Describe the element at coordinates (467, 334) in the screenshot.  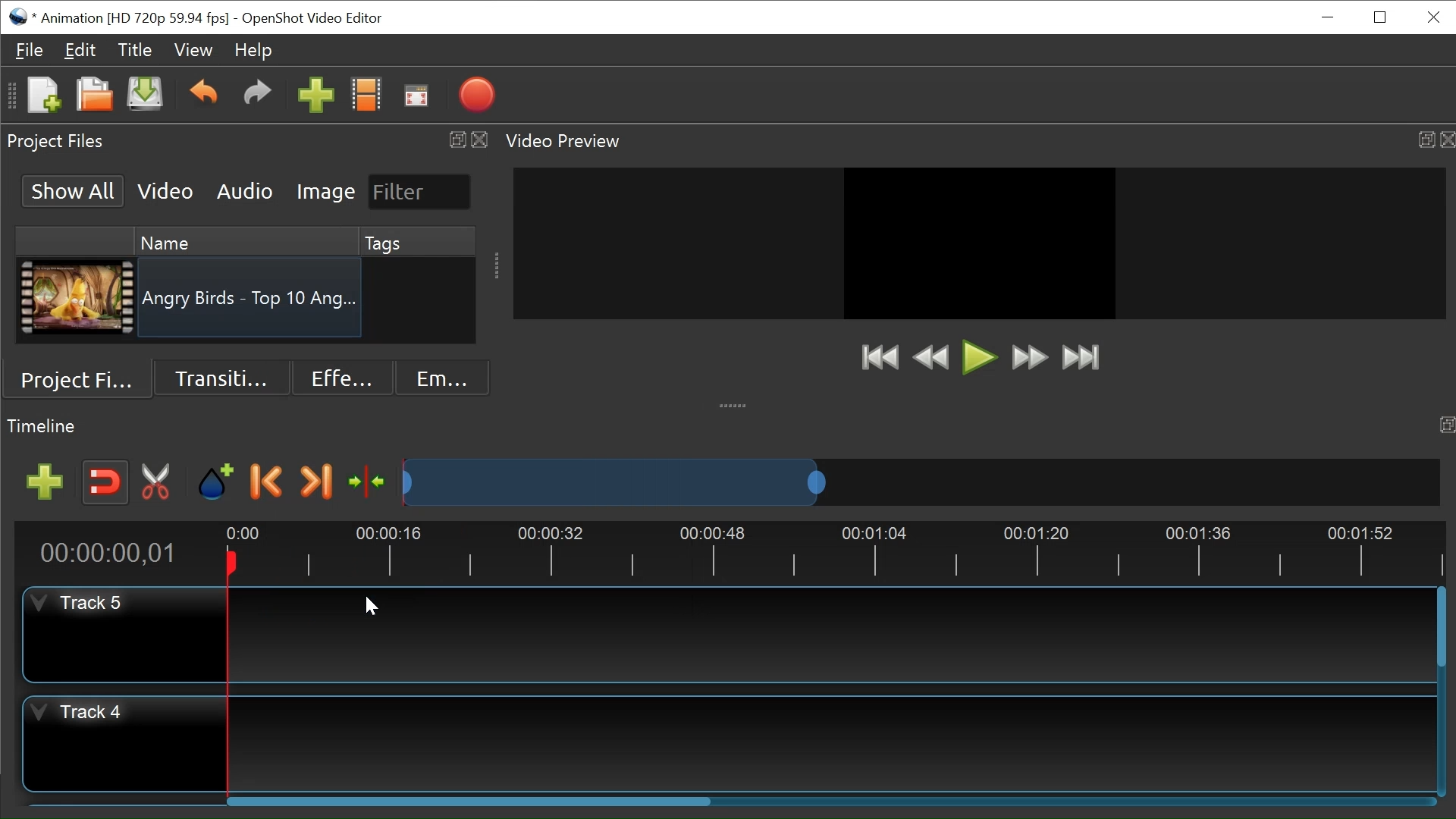
I see `Scroll down` at that location.